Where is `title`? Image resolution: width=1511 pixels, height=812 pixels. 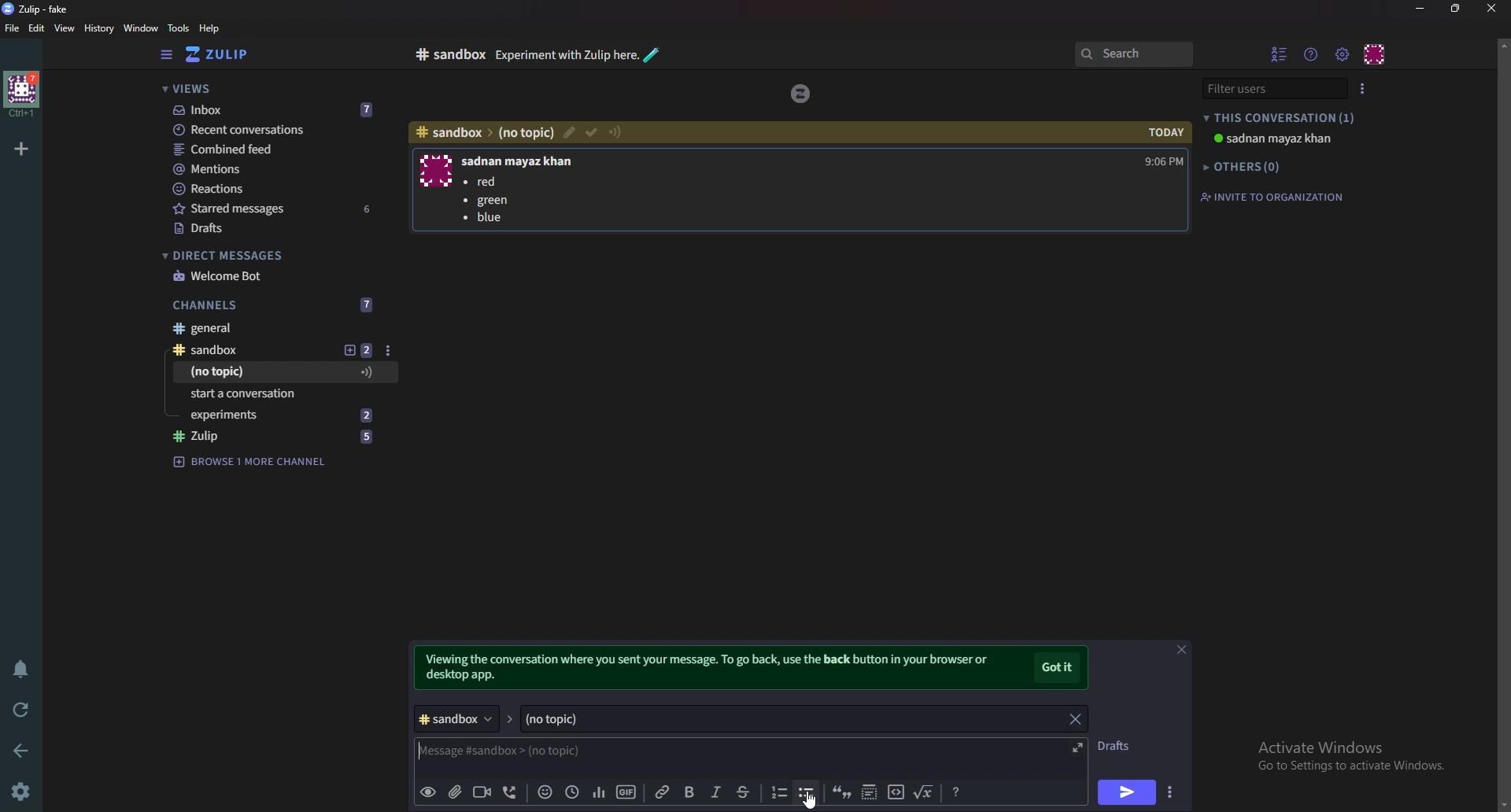 title is located at coordinates (43, 9).